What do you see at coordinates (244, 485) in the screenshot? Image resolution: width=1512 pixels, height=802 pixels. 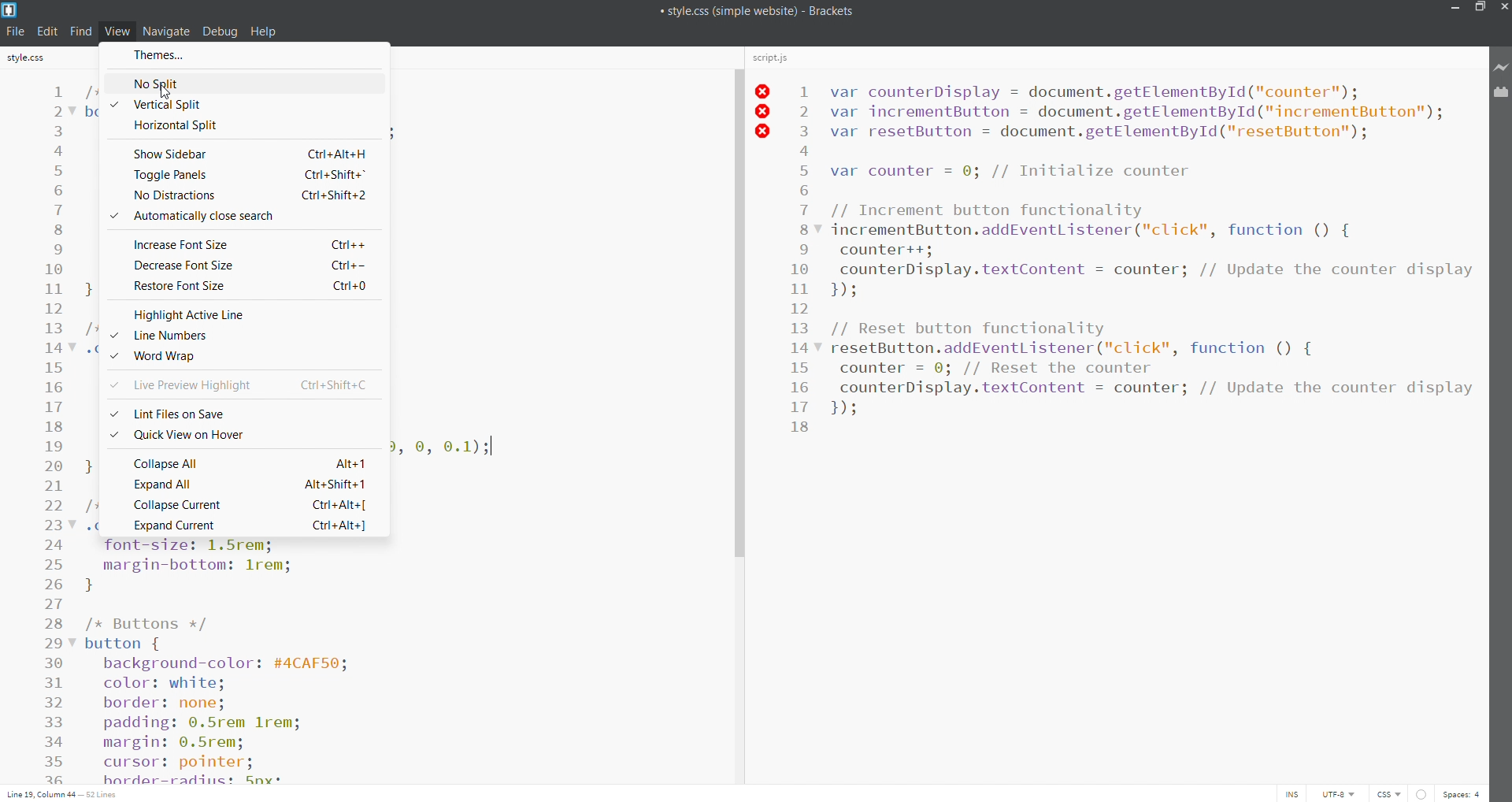 I see `expand all ` at bounding box center [244, 485].